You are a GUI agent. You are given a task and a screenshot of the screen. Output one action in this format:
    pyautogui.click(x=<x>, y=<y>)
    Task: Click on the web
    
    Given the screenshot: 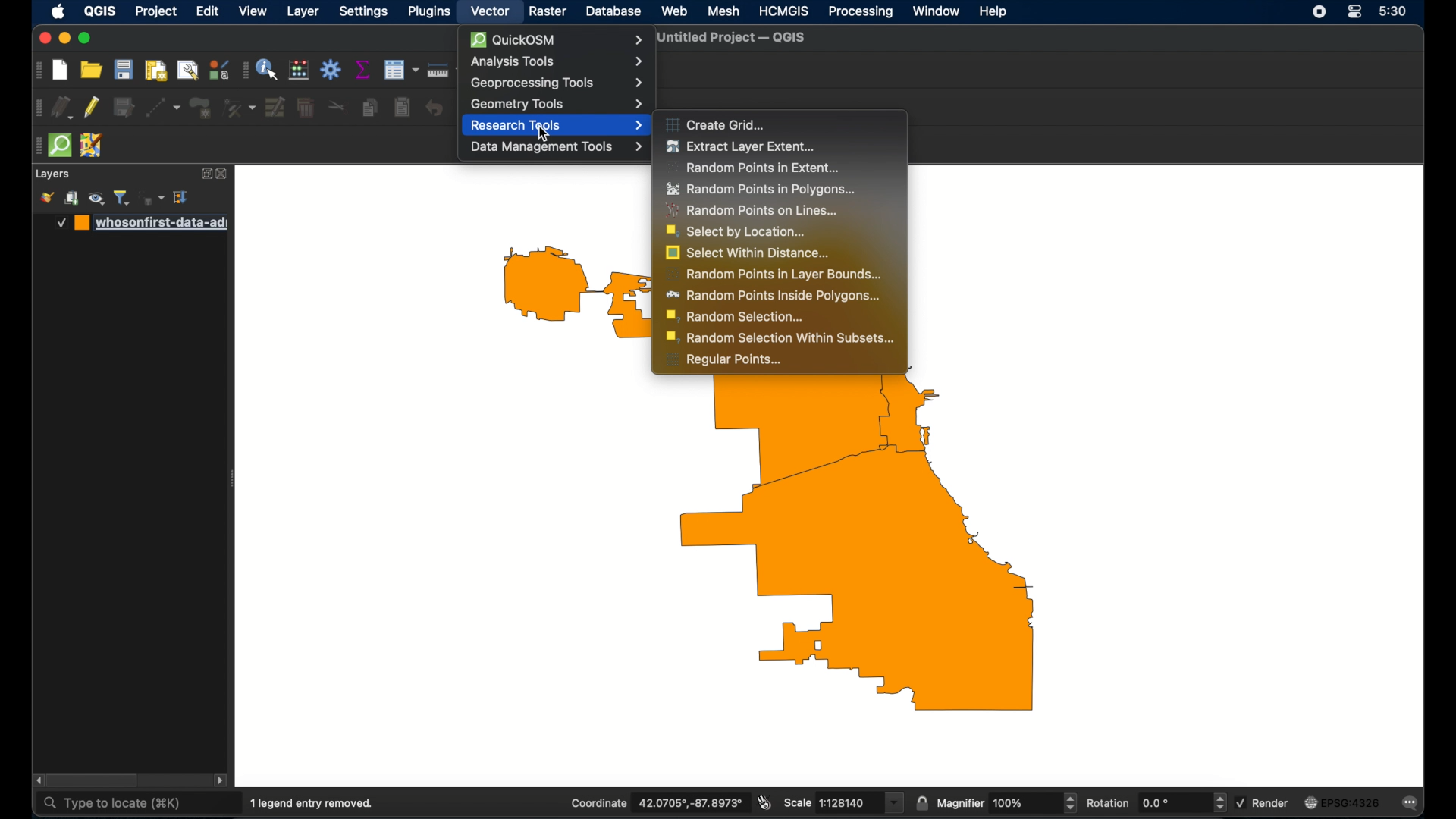 What is the action you would take?
    pyautogui.click(x=674, y=11)
    